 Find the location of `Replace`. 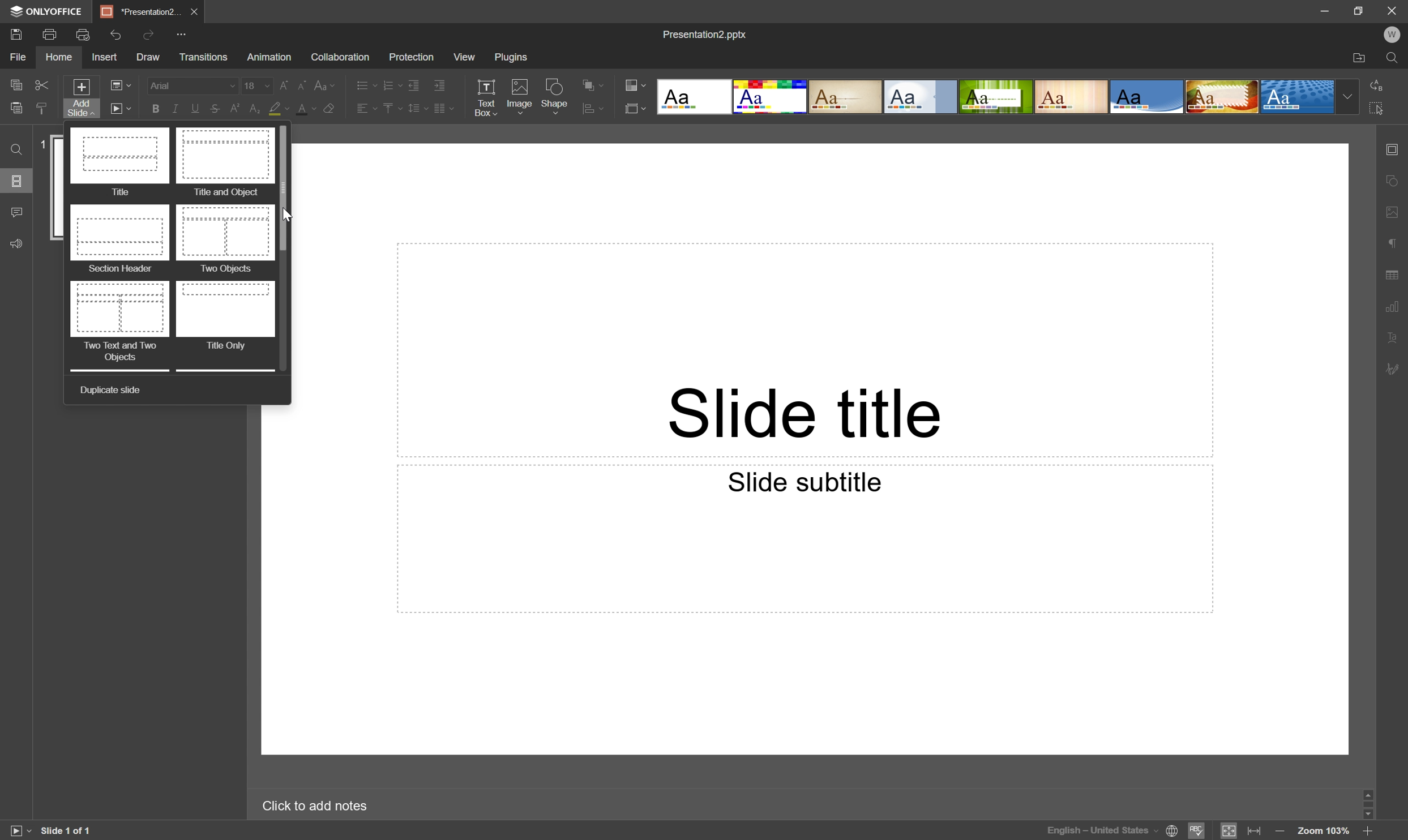

Replace is located at coordinates (1381, 85).